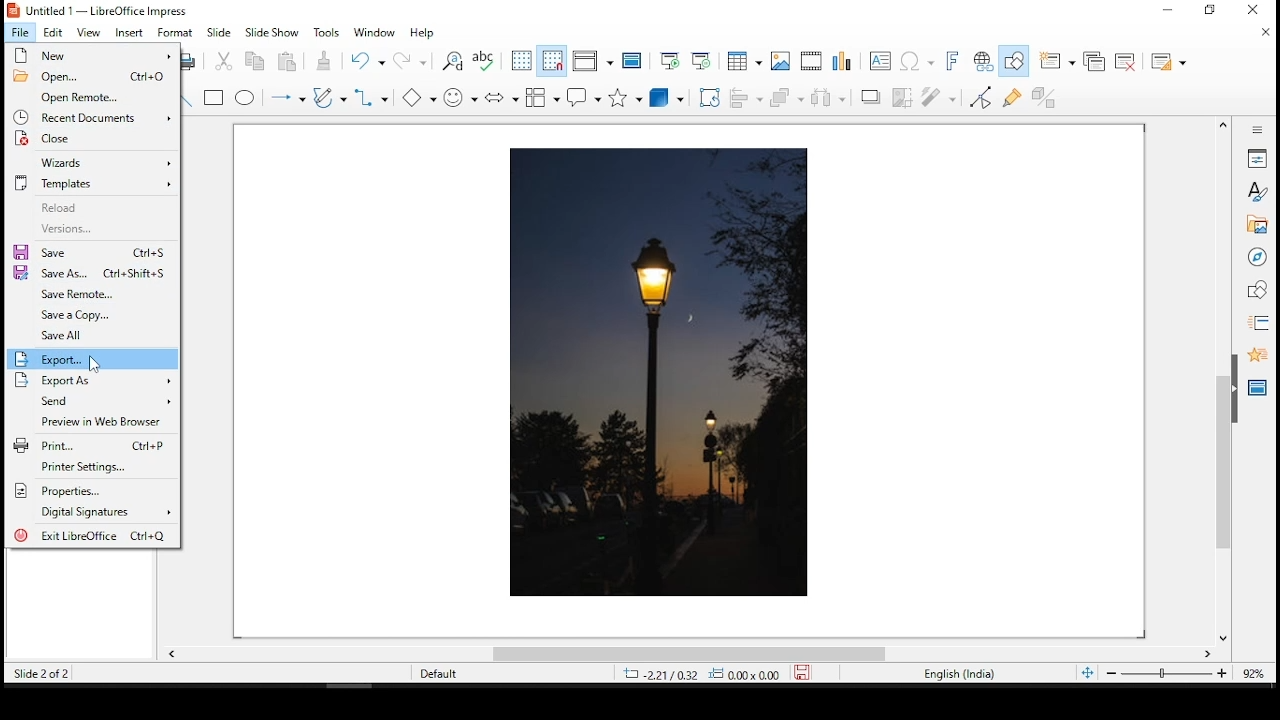  What do you see at coordinates (92, 184) in the screenshot?
I see `templates` at bounding box center [92, 184].